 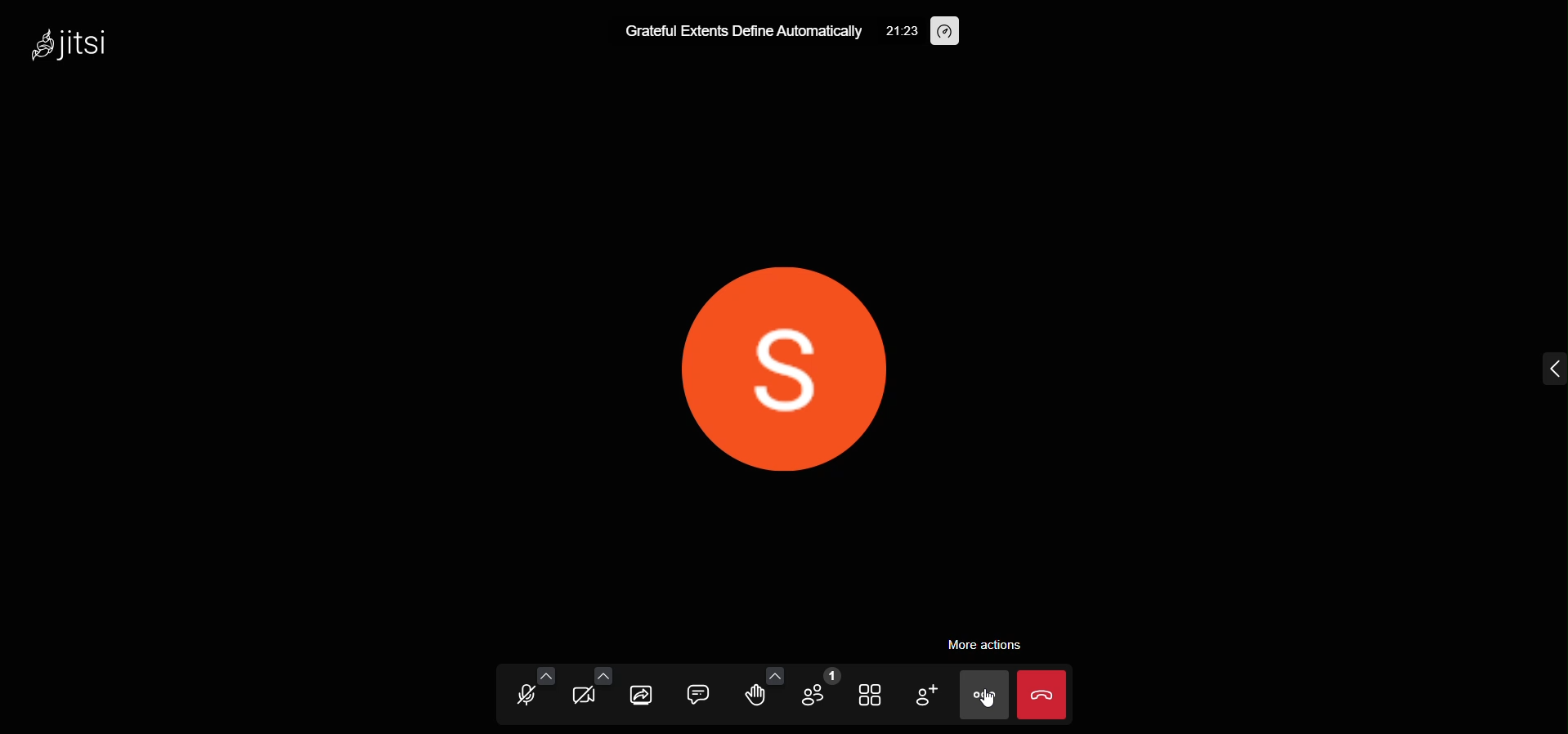 I want to click on audio setting, so click(x=547, y=674).